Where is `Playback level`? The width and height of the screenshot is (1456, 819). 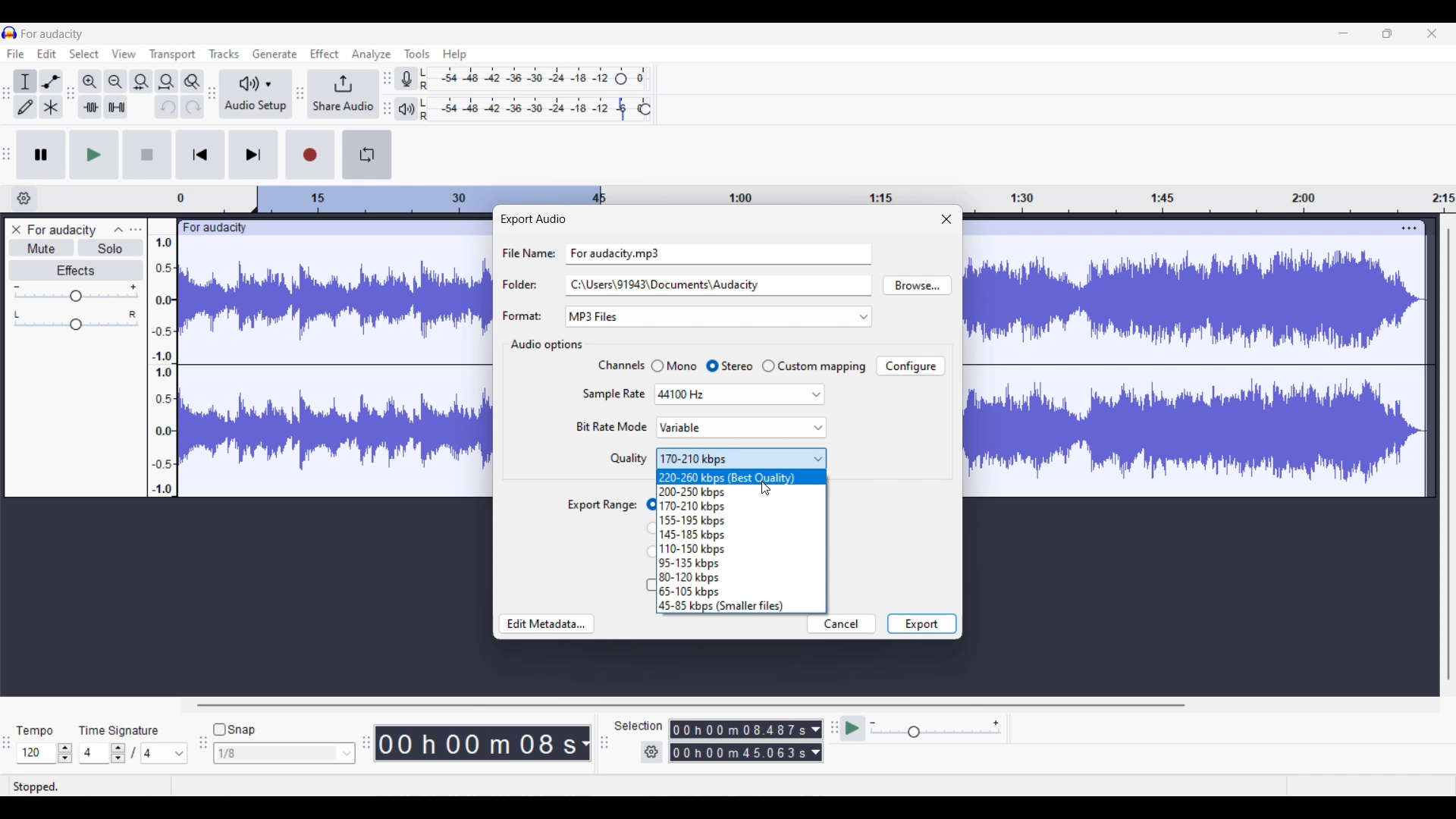 Playback level is located at coordinates (526, 109).